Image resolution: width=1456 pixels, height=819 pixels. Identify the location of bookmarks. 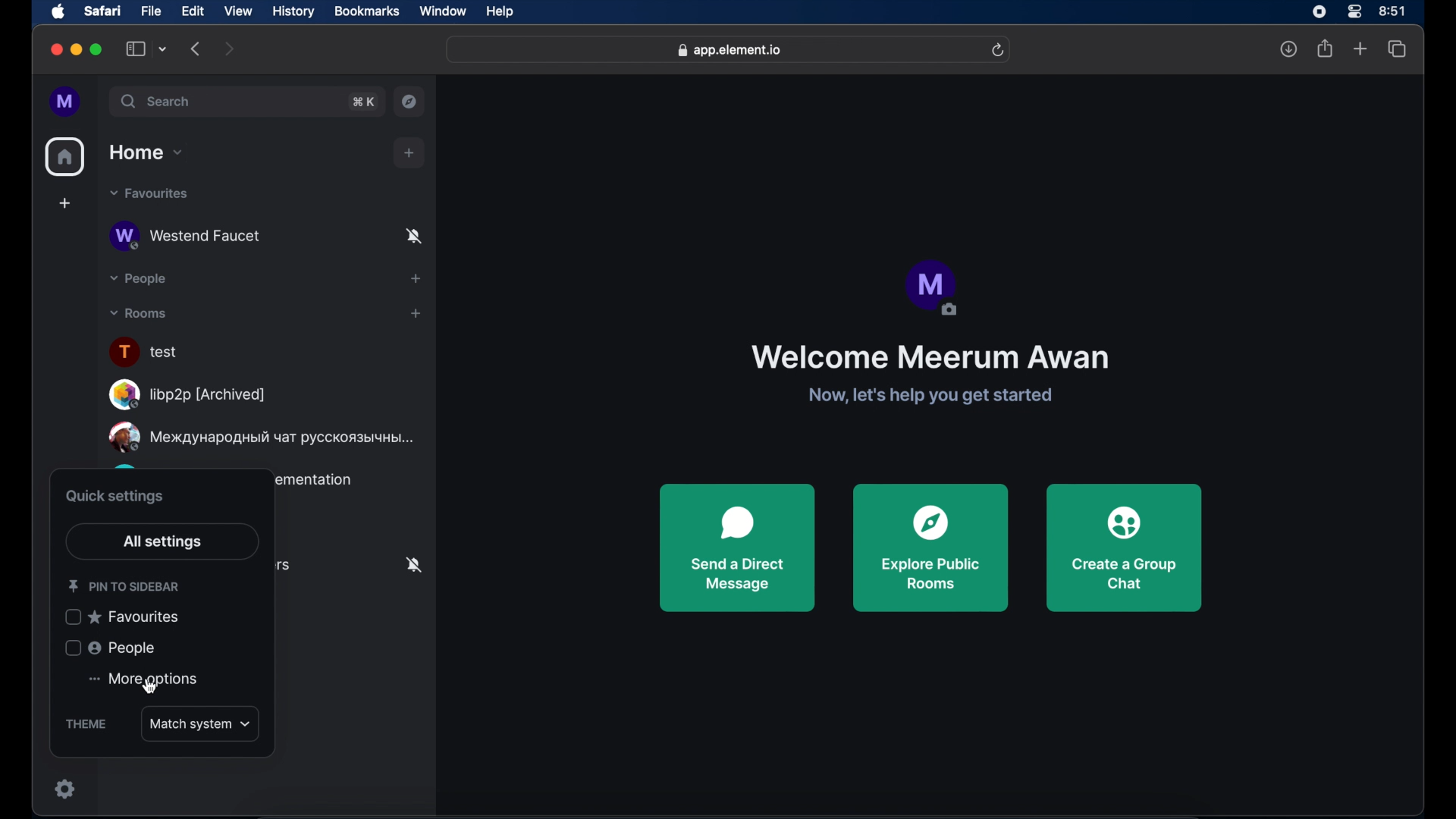
(368, 12).